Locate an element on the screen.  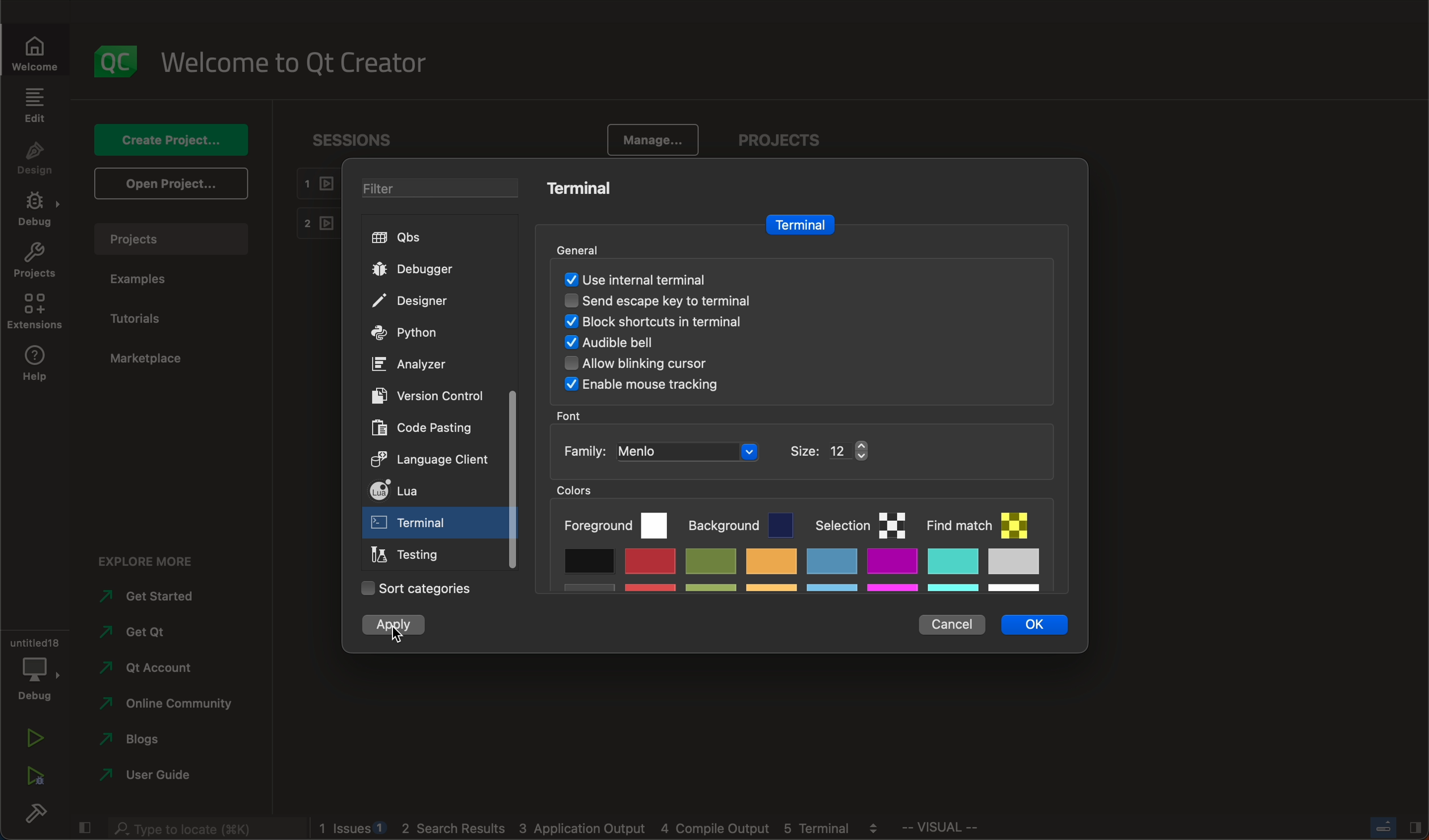
categories is located at coordinates (413, 590).